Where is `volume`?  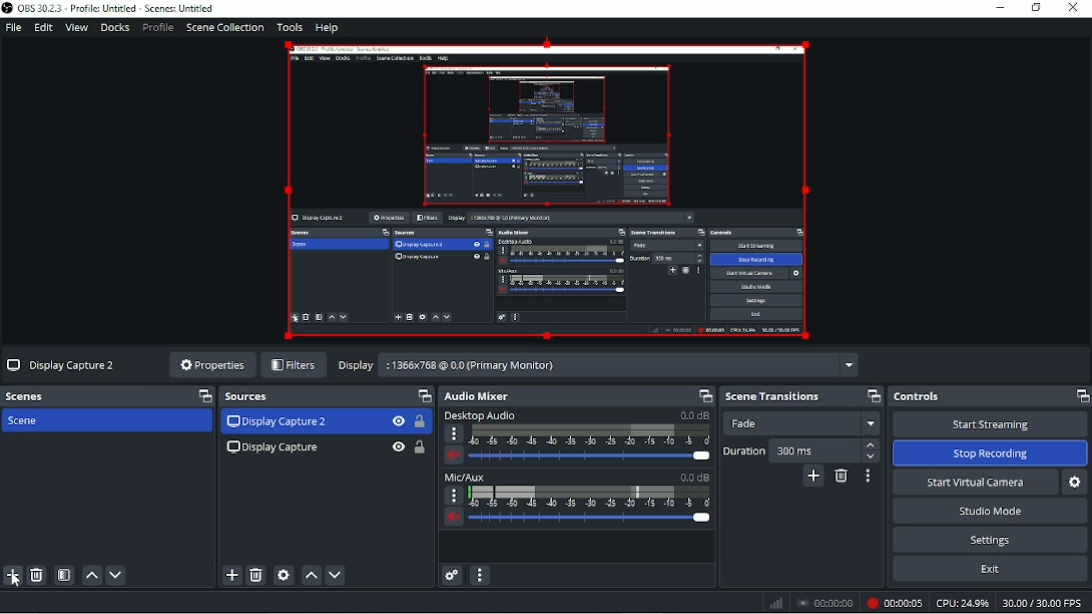 volume is located at coordinates (454, 453).